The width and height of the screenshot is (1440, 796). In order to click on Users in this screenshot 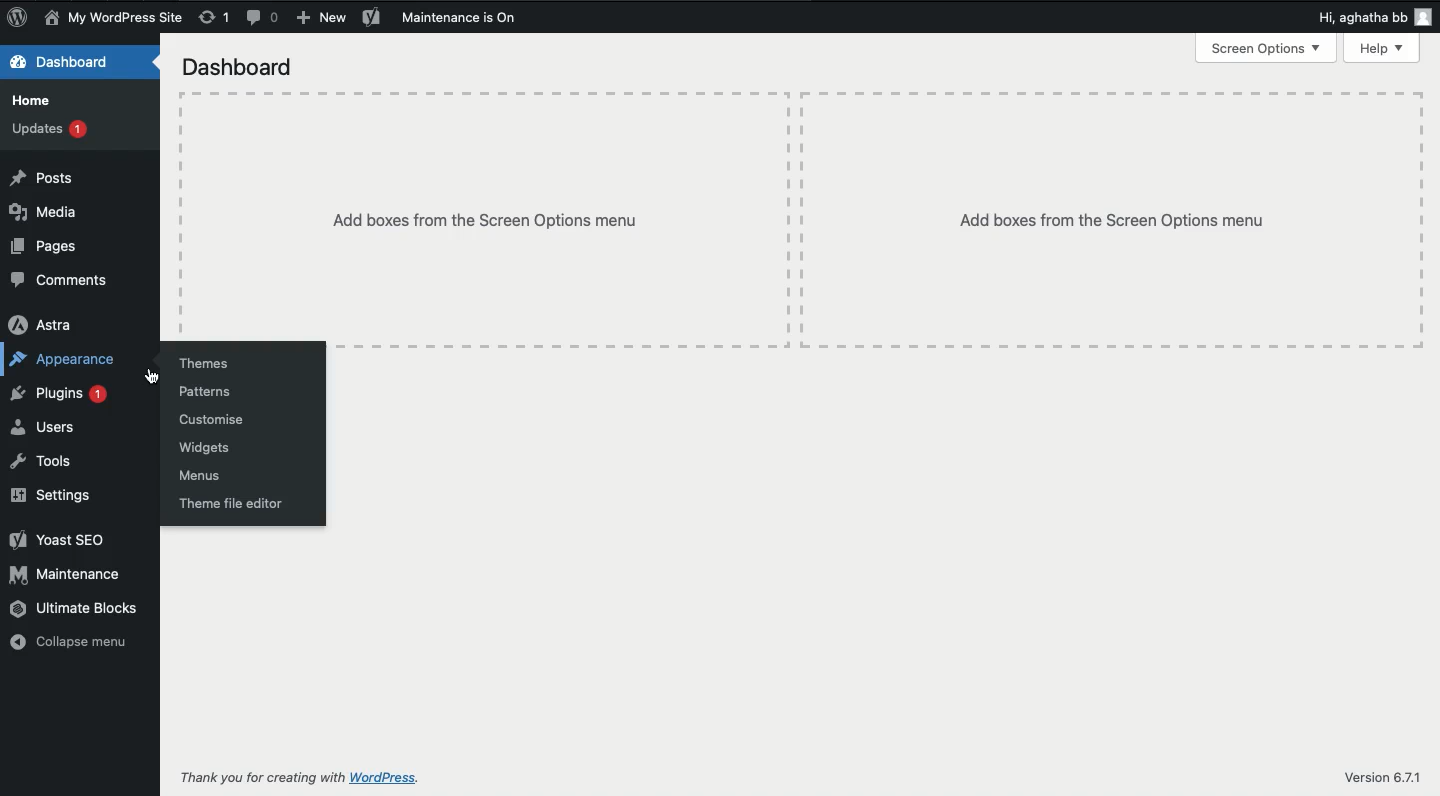, I will do `click(46, 427)`.